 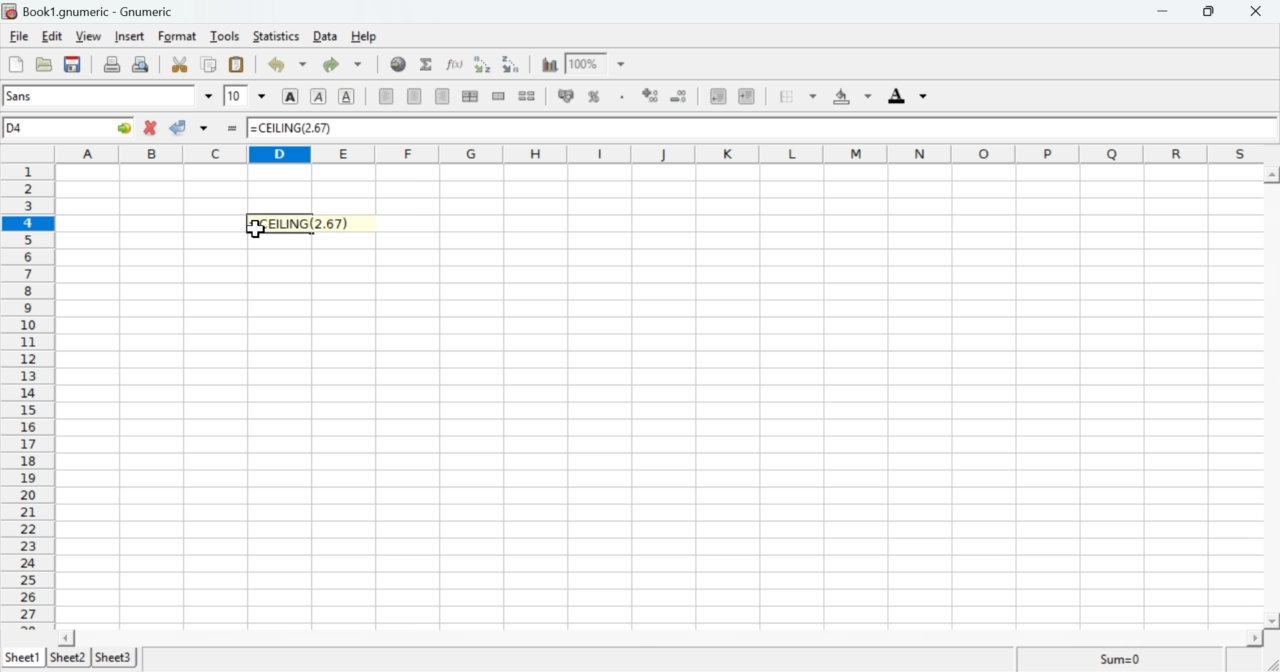 I want to click on Merge cells, so click(x=498, y=96).